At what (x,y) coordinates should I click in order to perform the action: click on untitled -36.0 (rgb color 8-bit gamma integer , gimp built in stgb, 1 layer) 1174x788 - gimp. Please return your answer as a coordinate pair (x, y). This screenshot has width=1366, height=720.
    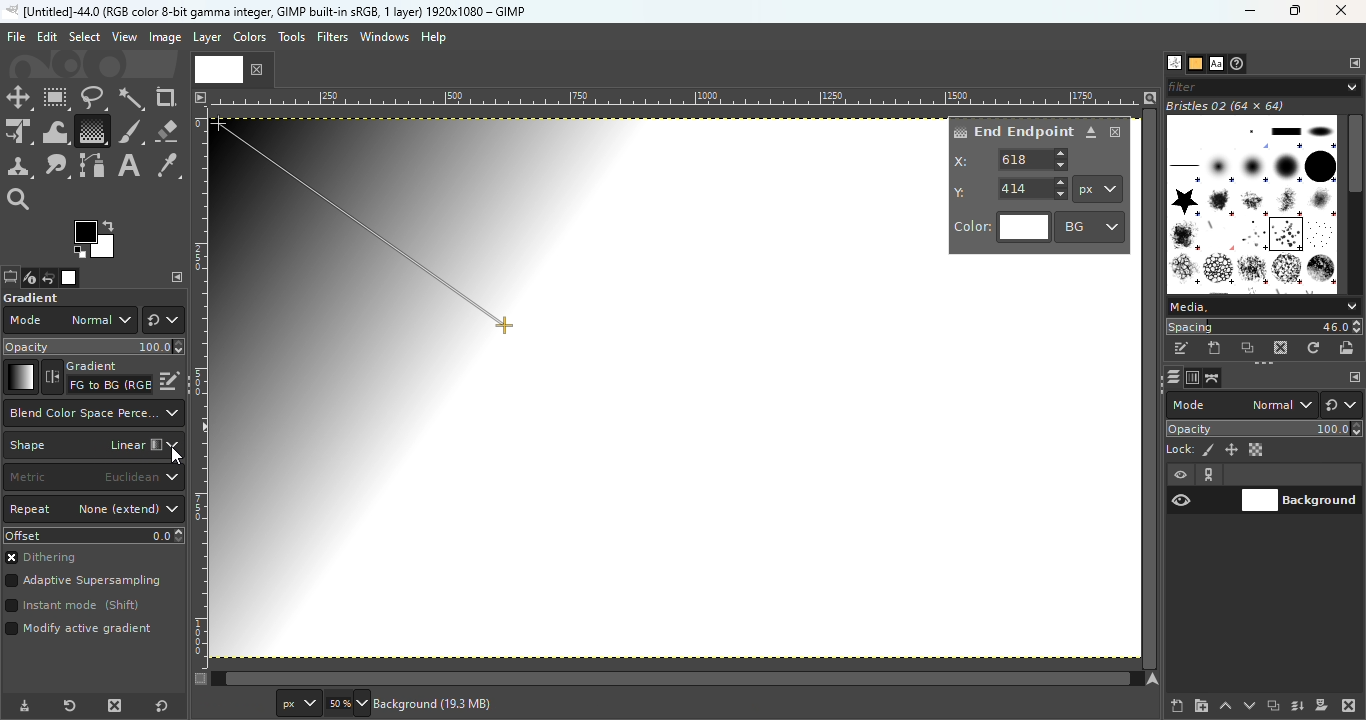
    Looking at the image, I should click on (265, 11).